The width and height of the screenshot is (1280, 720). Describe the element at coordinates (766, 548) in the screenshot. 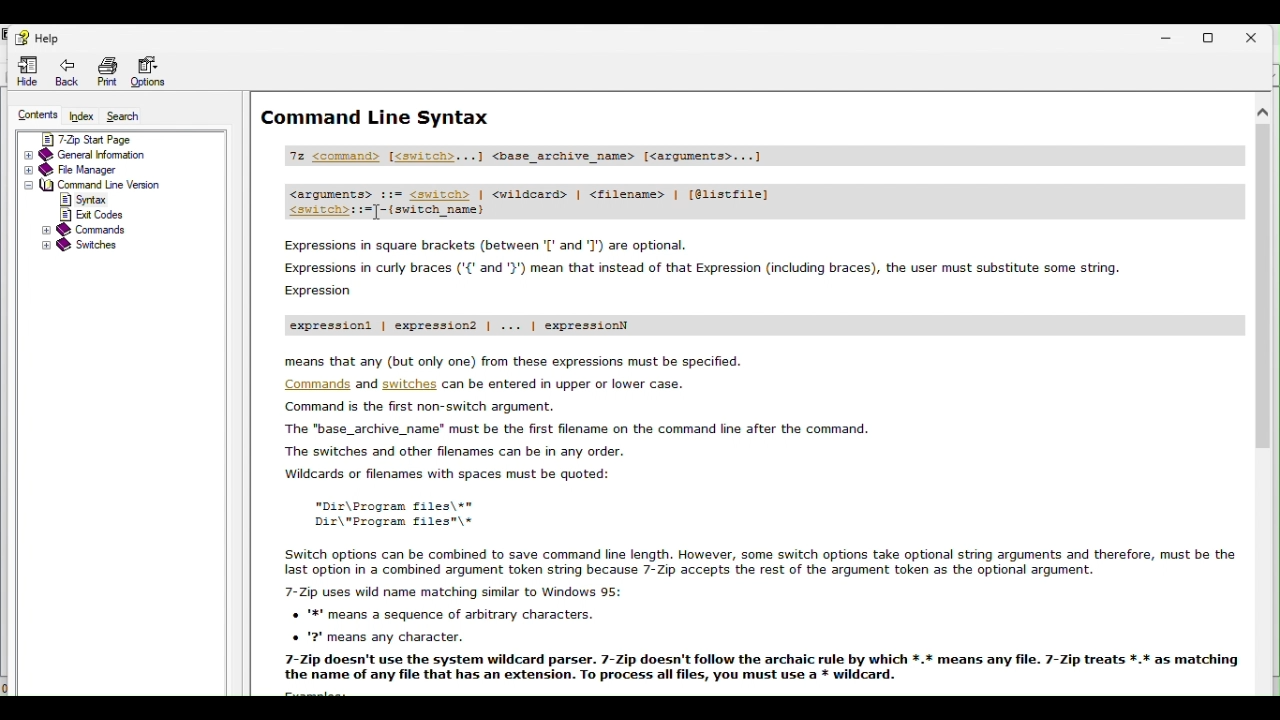

I see `` at that location.